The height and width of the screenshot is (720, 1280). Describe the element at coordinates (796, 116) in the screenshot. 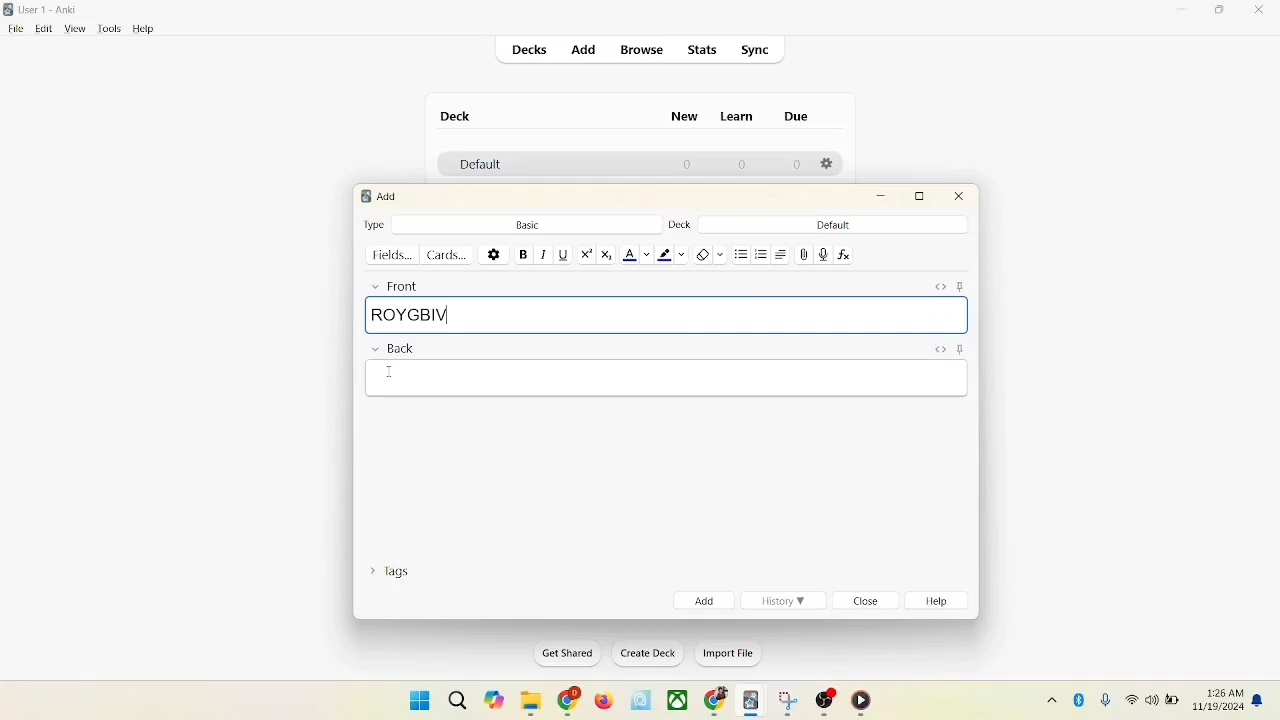

I see `due` at that location.